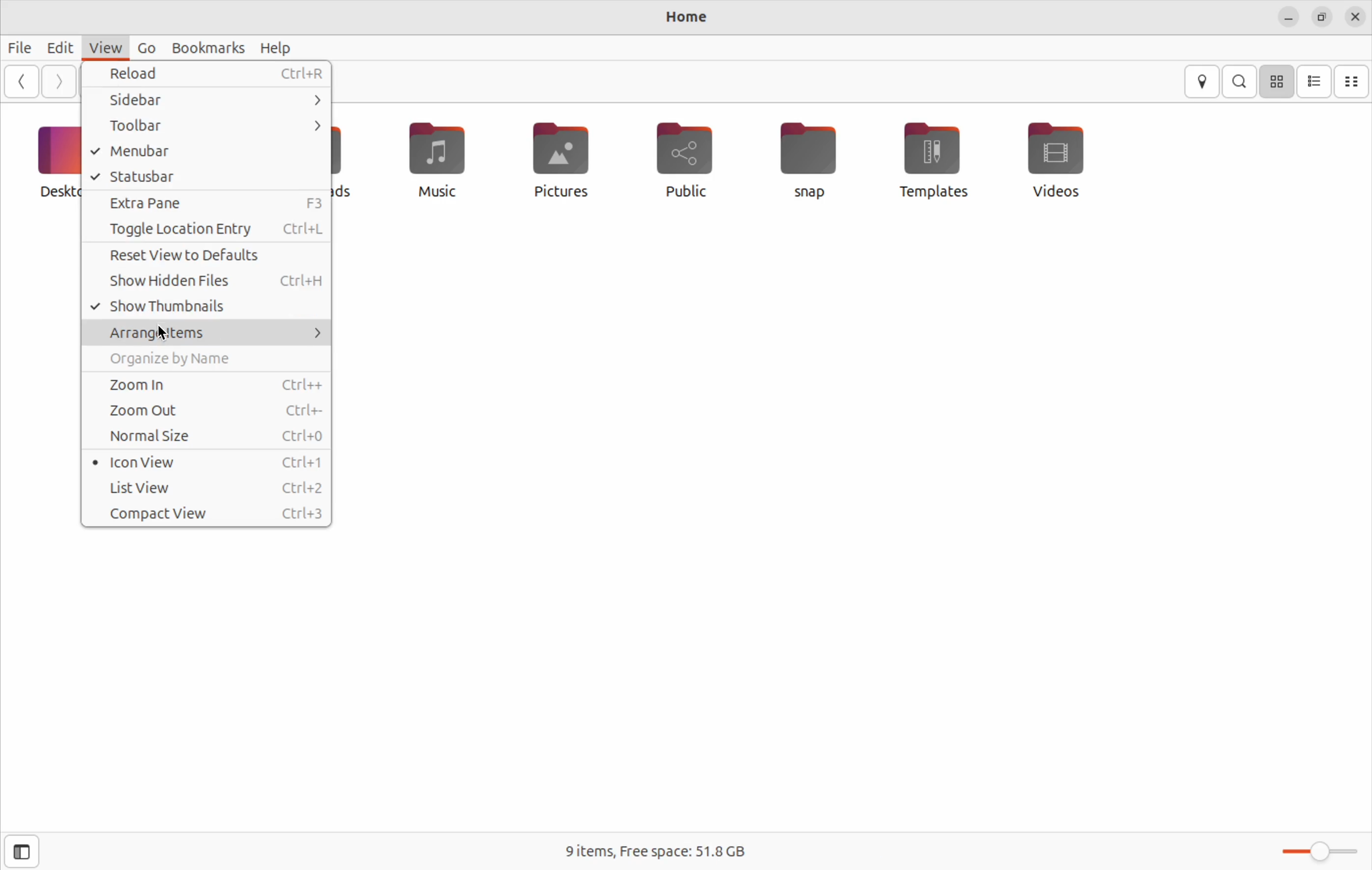  What do you see at coordinates (930, 159) in the screenshot?
I see `Templates` at bounding box center [930, 159].